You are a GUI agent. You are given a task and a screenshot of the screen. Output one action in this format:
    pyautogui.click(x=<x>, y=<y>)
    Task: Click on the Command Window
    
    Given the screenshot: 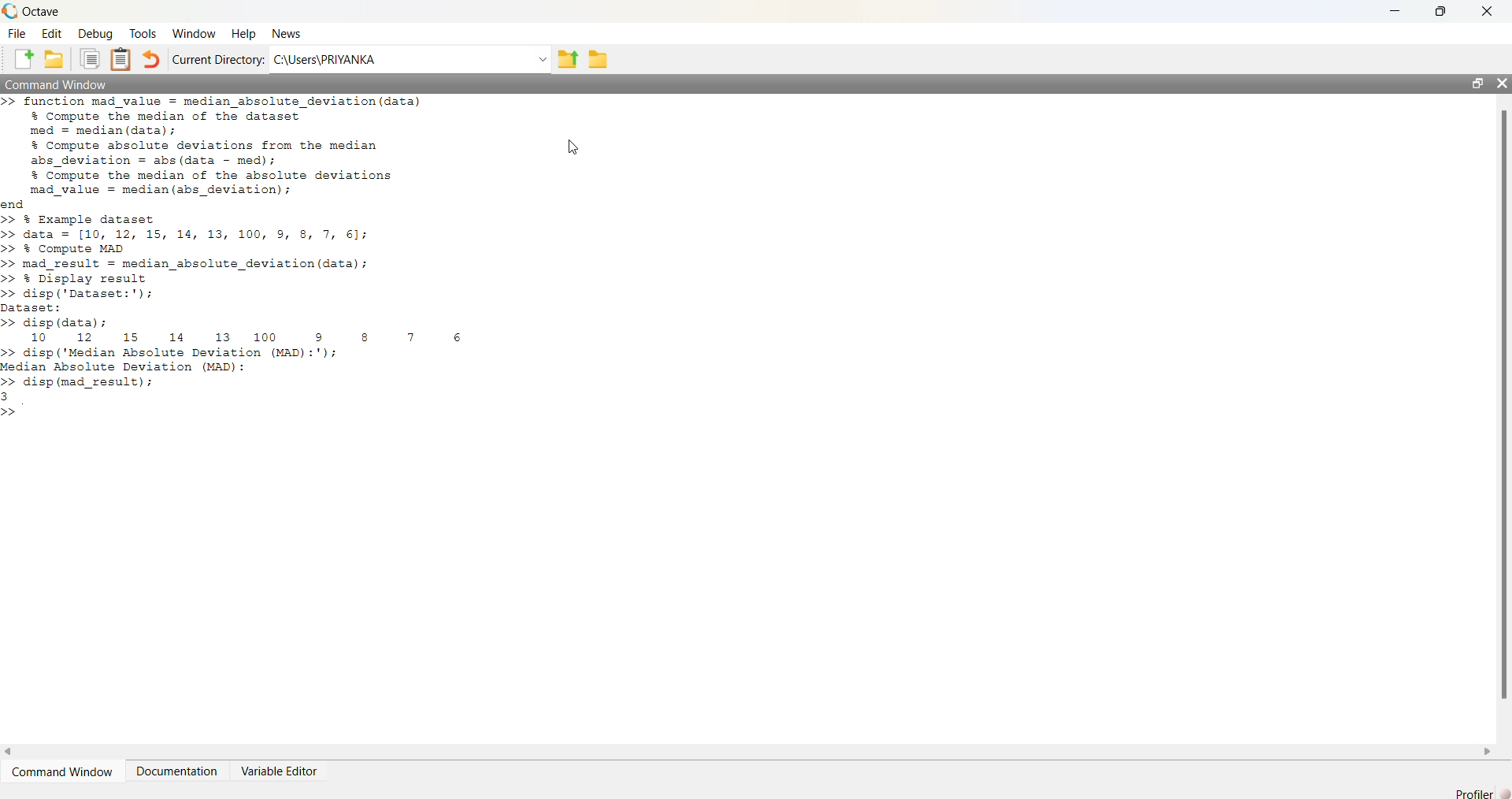 What is the action you would take?
    pyautogui.click(x=57, y=84)
    